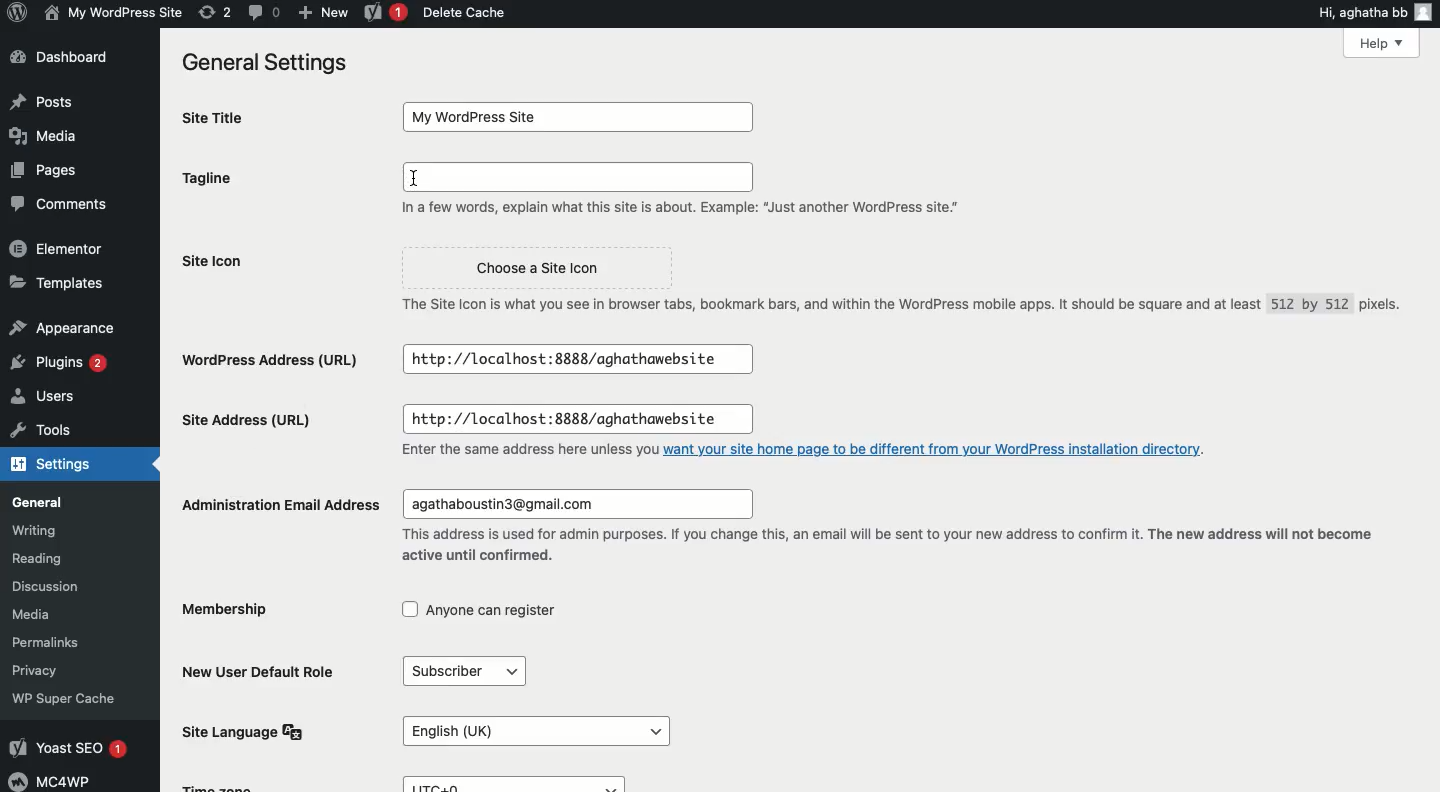 The width and height of the screenshot is (1440, 792). What do you see at coordinates (275, 264) in the screenshot?
I see `Site icon` at bounding box center [275, 264].